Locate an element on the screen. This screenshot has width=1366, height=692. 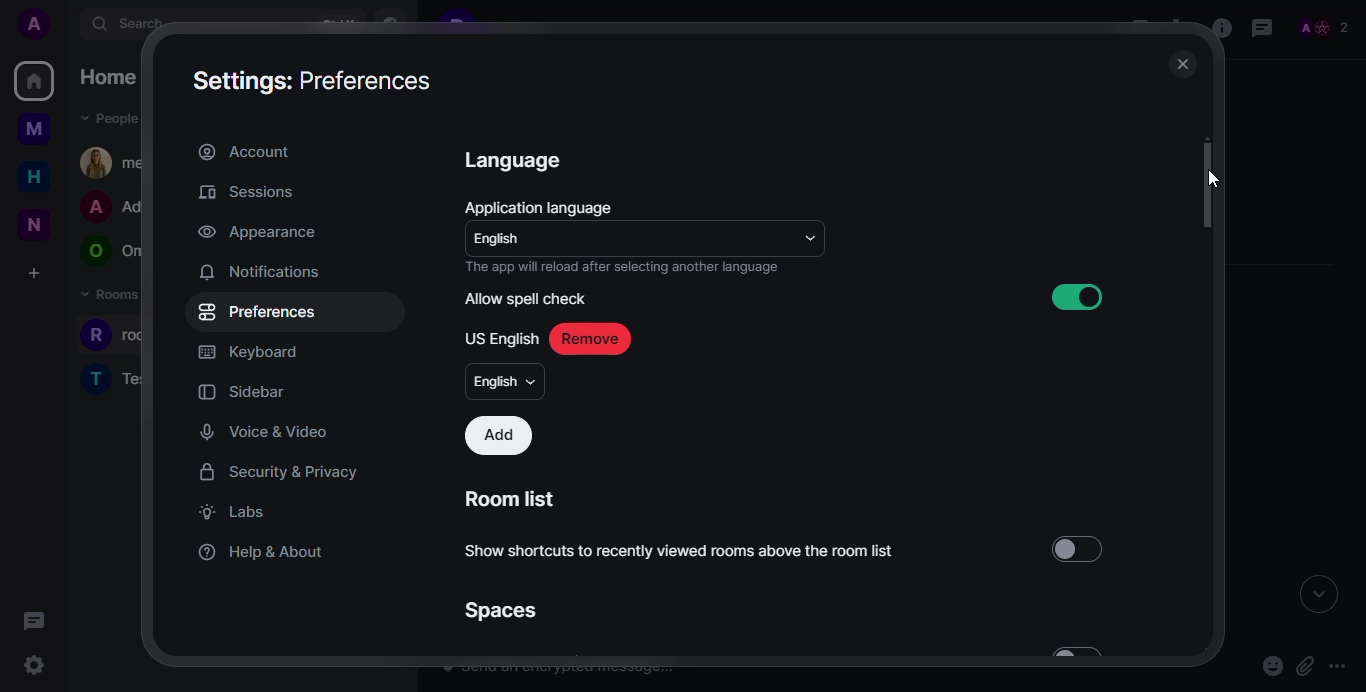
create a space is located at coordinates (33, 272).